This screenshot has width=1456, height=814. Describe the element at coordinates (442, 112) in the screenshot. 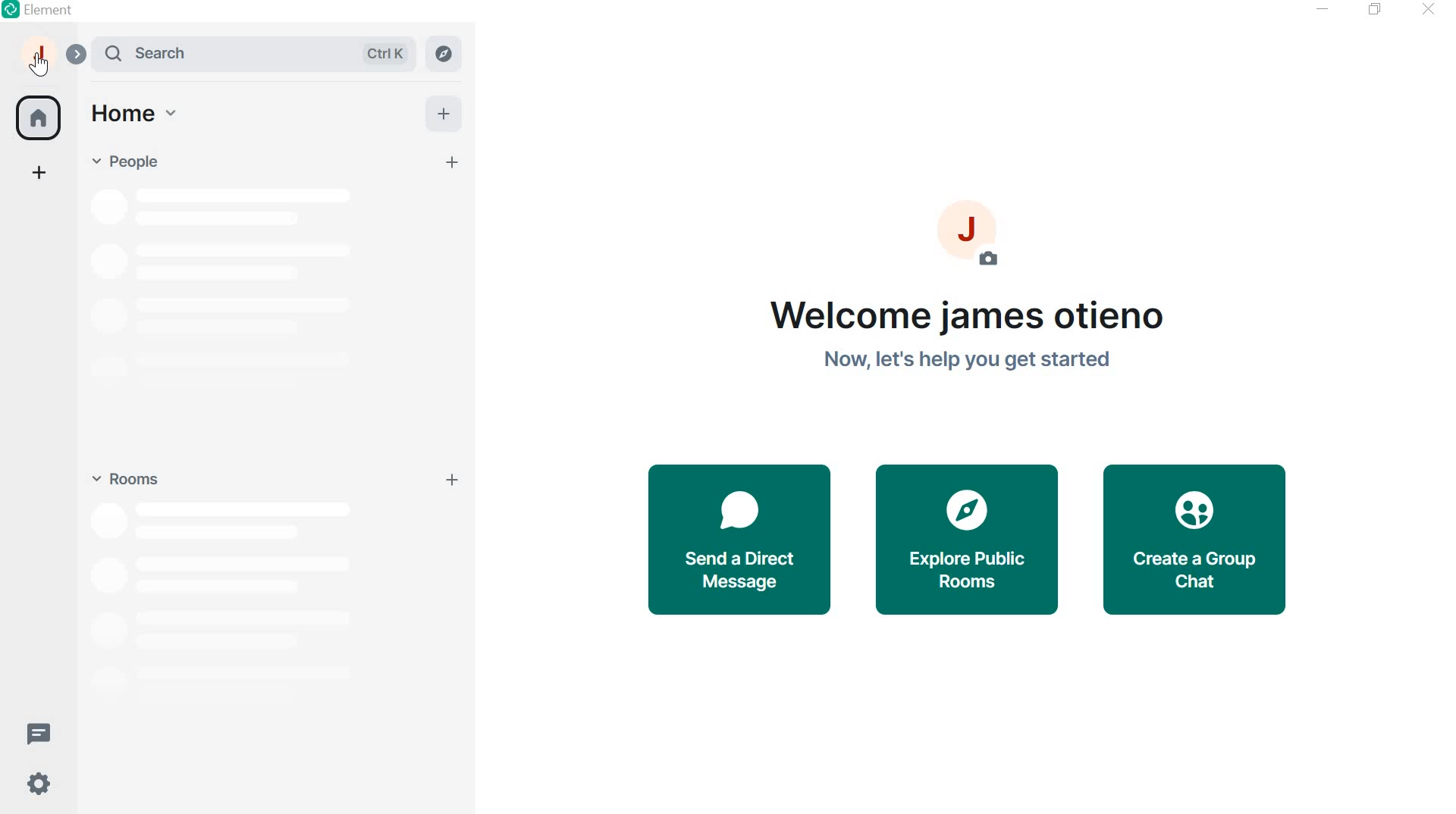

I see `ADD` at that location.